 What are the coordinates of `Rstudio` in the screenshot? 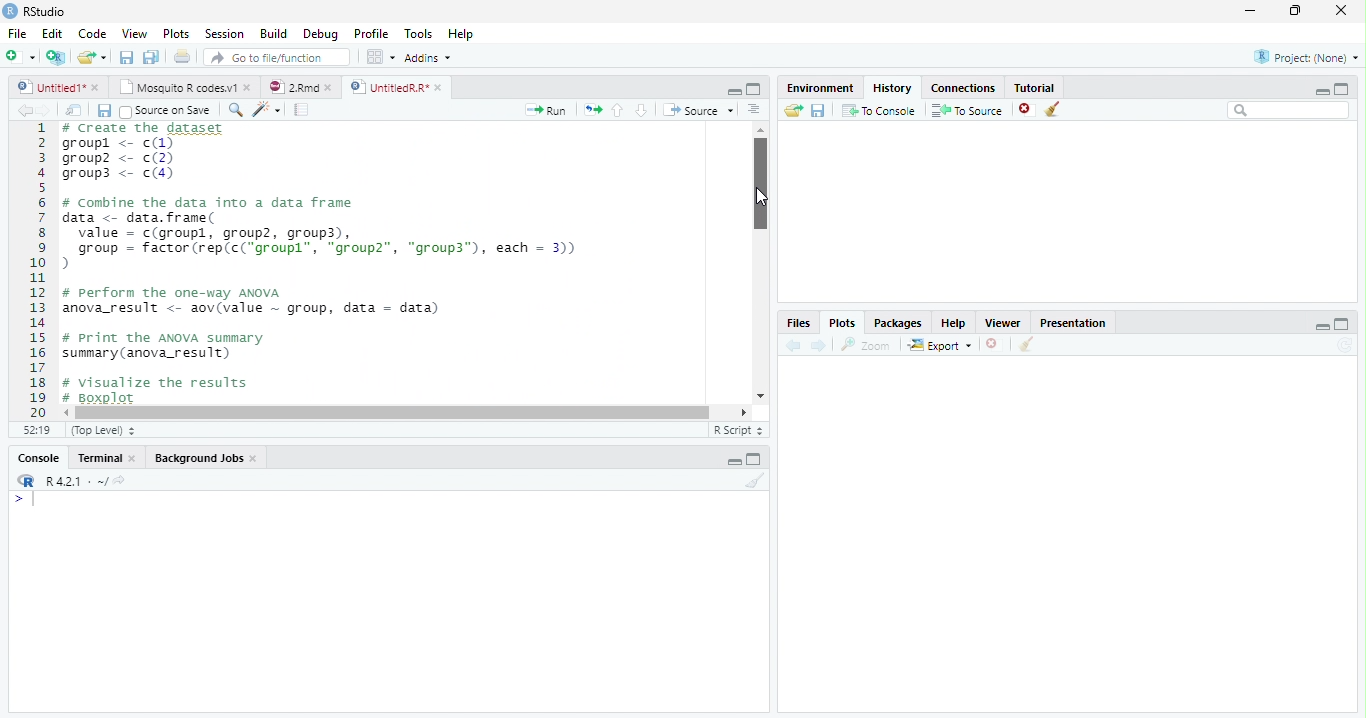 It's located at (33, 9).